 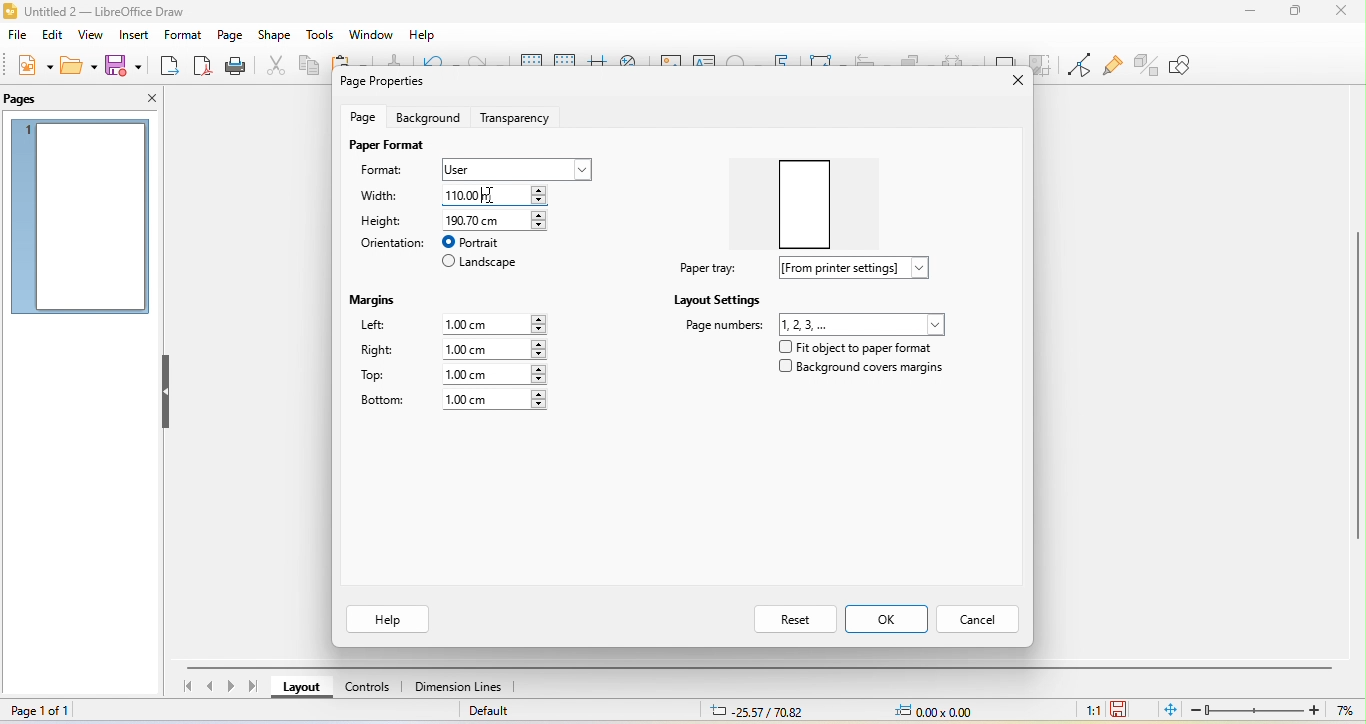 I want to click on default, so click(x=501, y=713).